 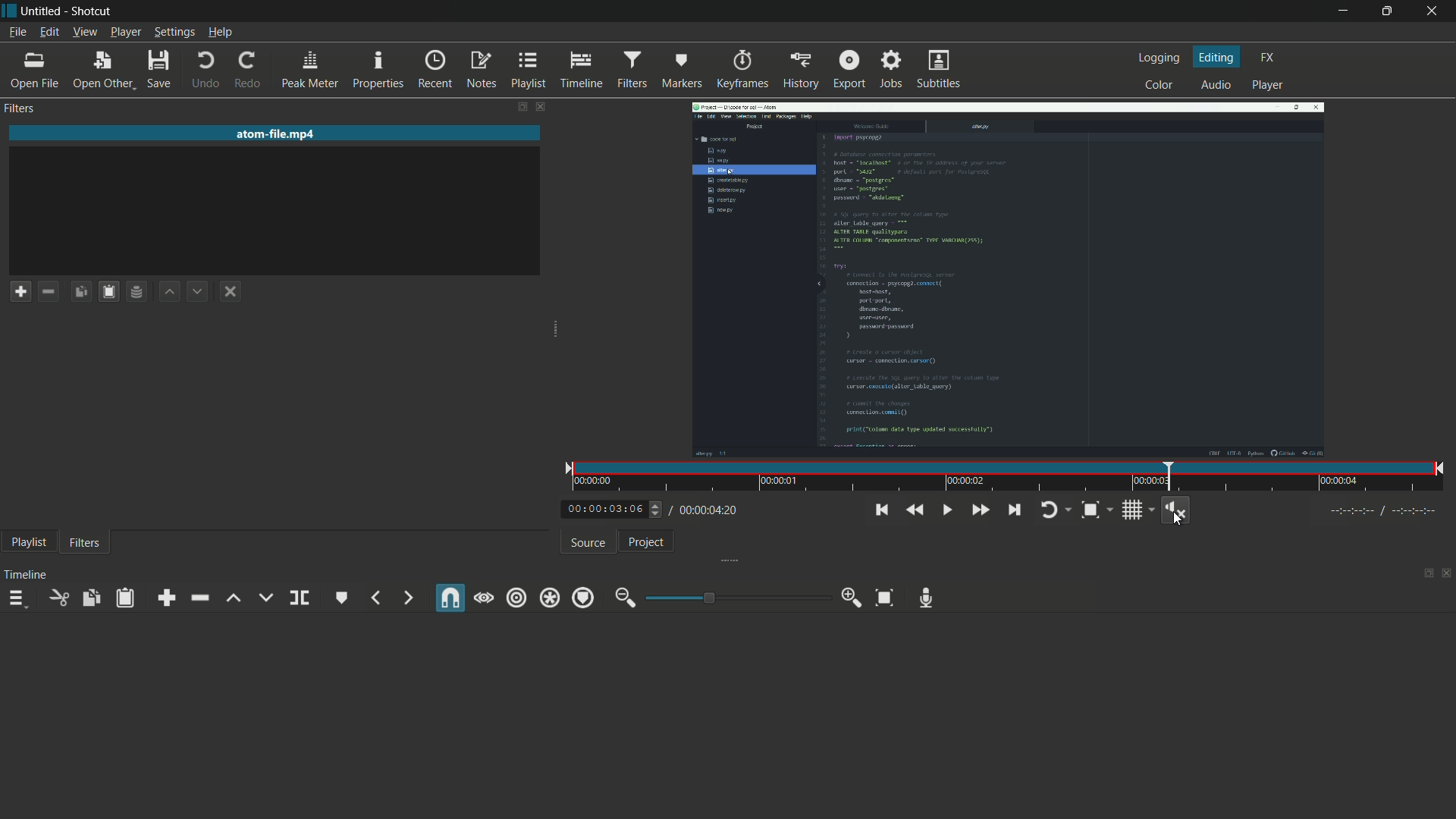 I want to click on close app, so click(x=1433, y=11).